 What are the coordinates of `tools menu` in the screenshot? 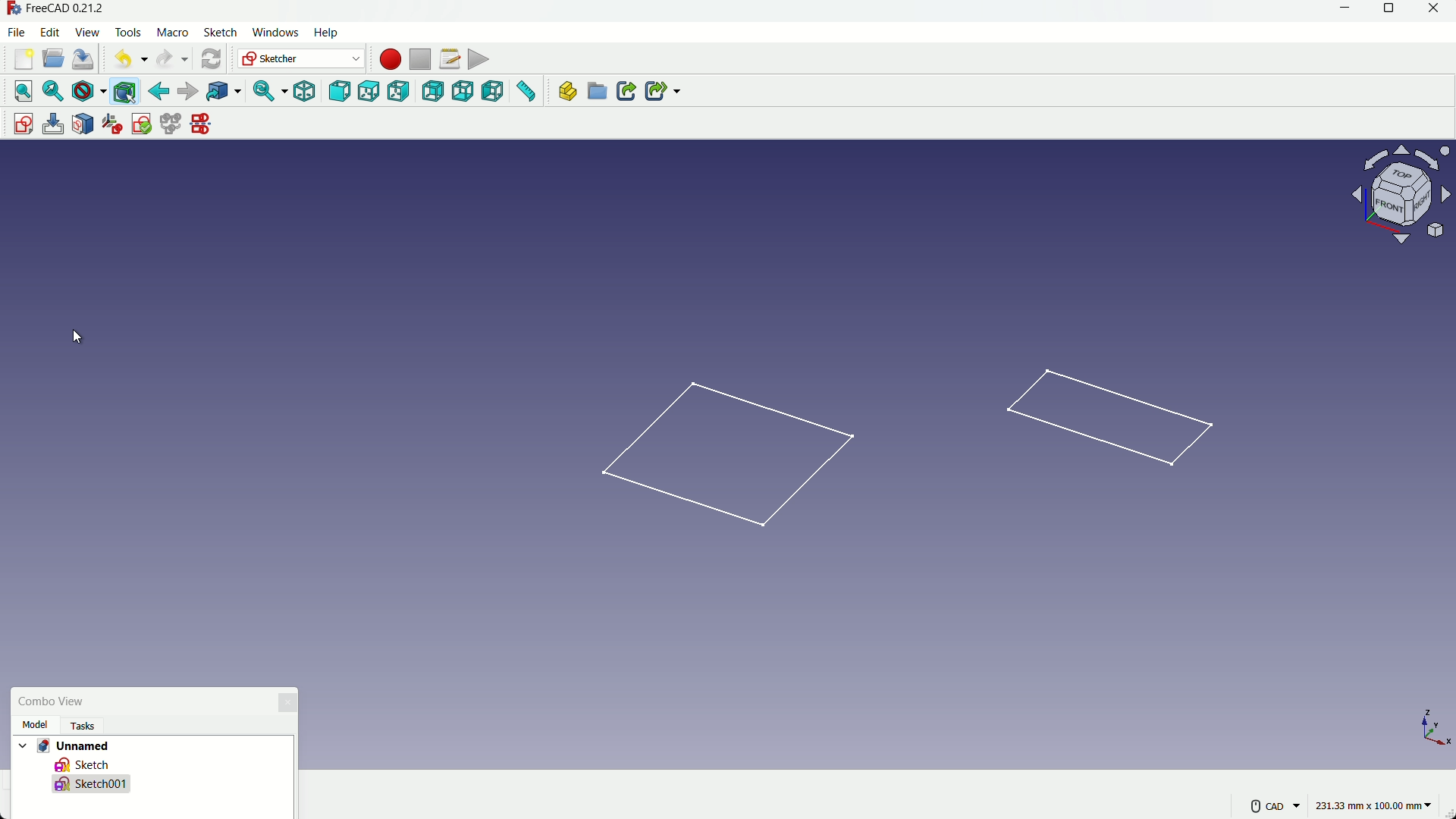 It's located at (129, 33).